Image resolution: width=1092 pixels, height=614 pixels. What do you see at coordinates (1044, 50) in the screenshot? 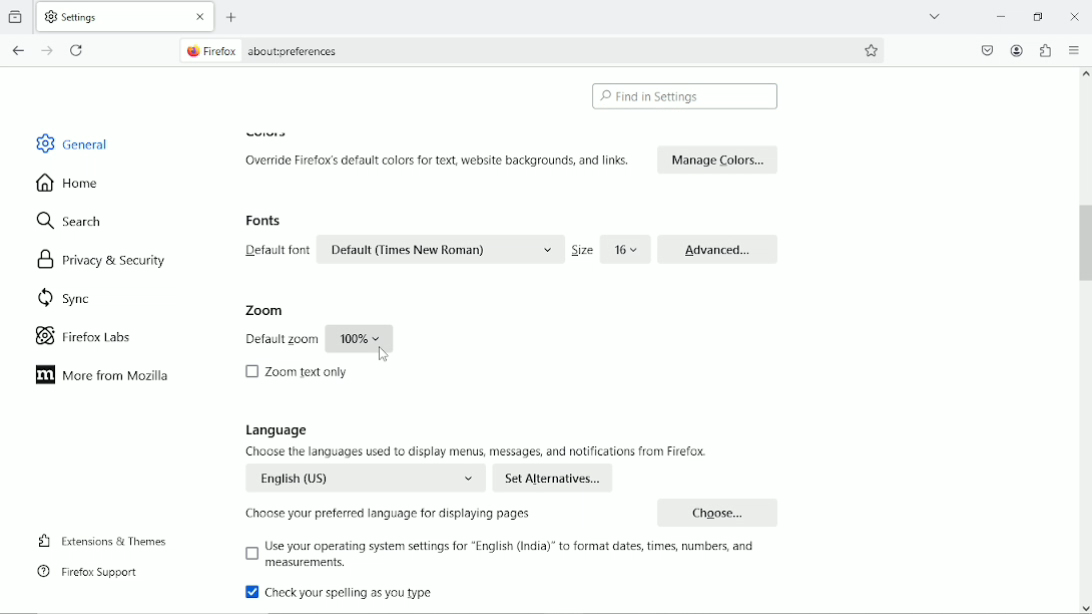
I see `extensions` at bounding box center [1044, 50].